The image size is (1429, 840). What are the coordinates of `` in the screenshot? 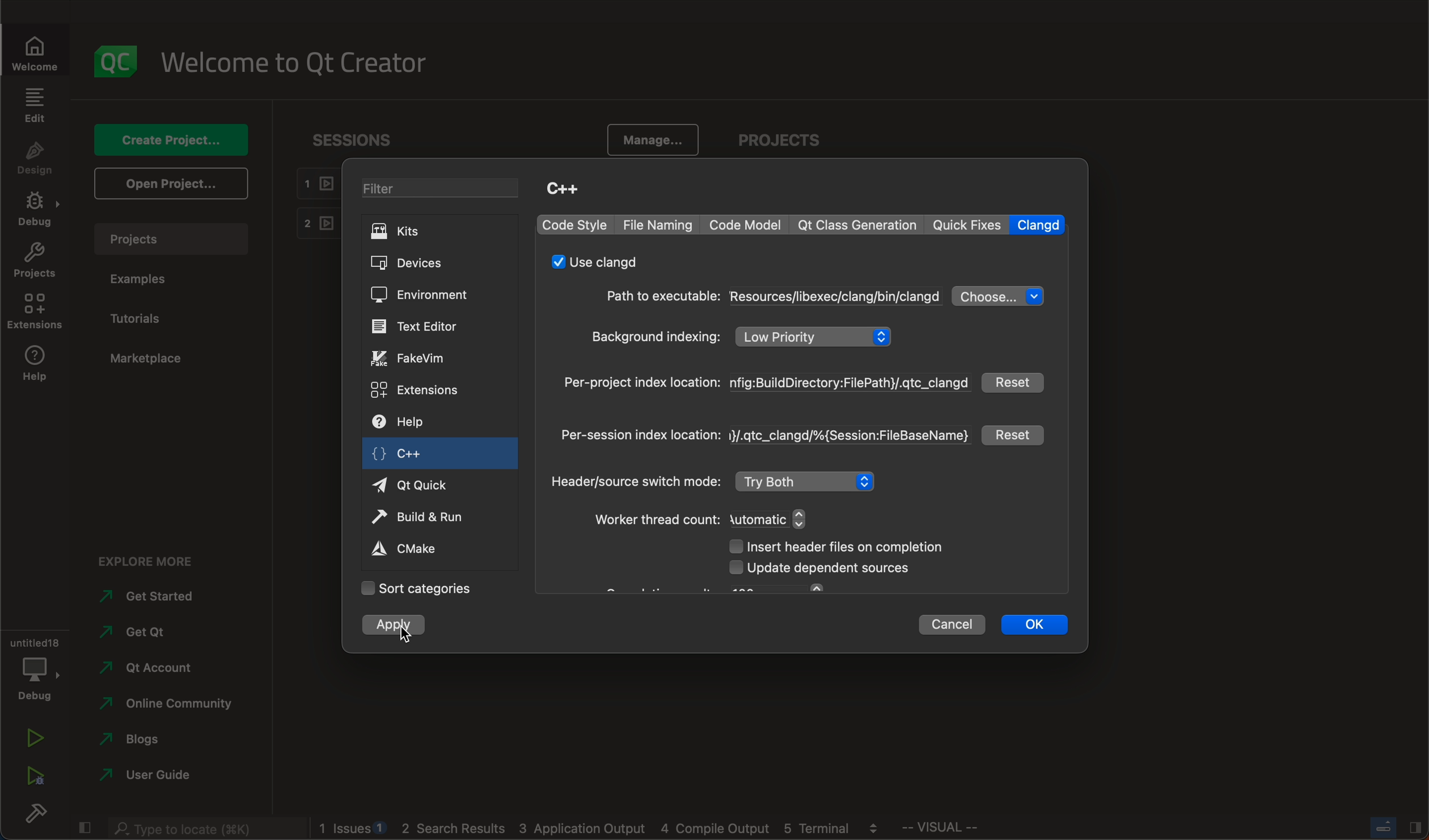 It's located at (1398, 828).